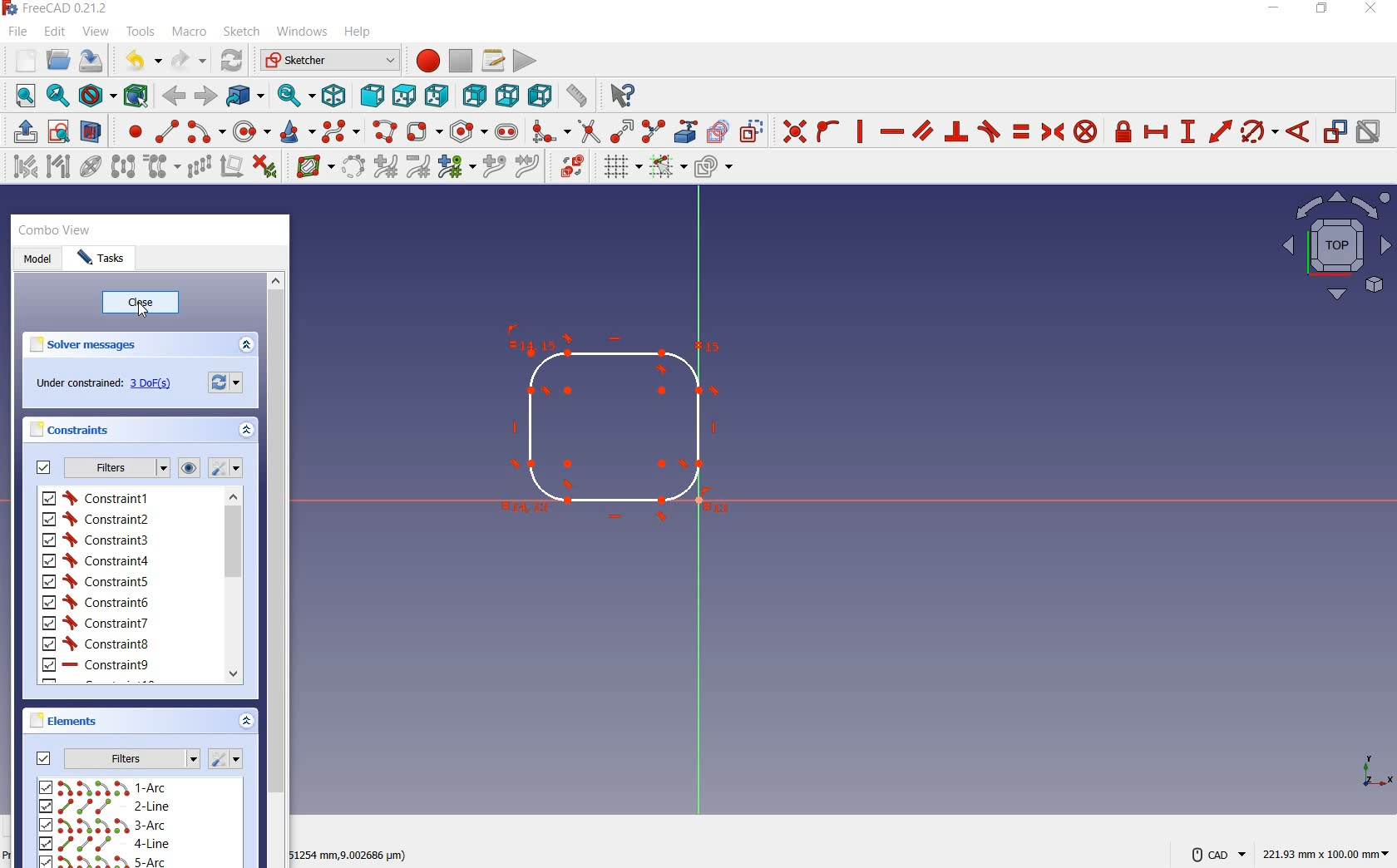  I want to click on constrain distance, so click(1222, 133).